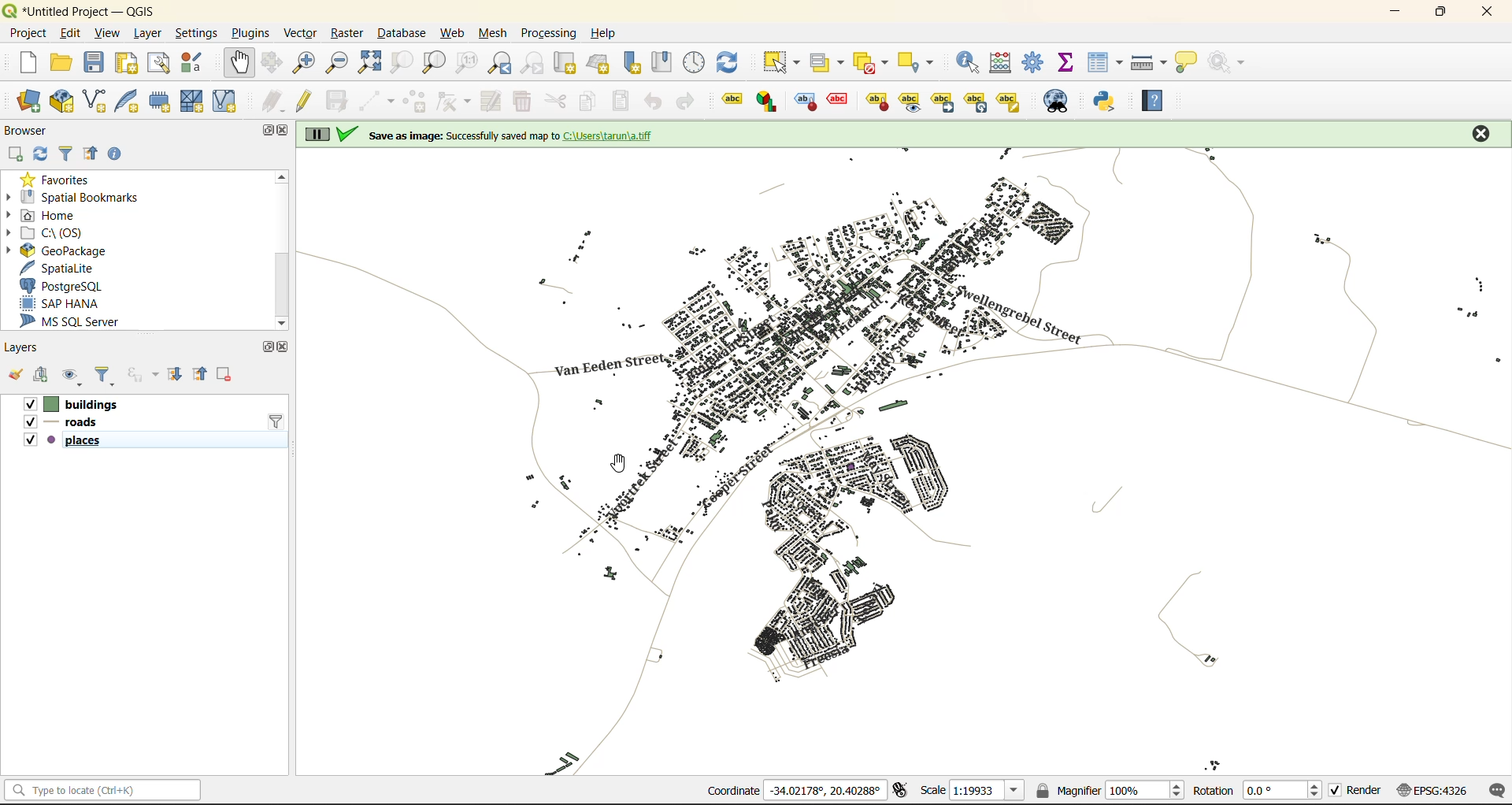 The width and height of the screenshot is (1512, 805). What do you see at coordinates (521, 104) in the screenshot?
I see `delete` at bounding box center [521, 104].